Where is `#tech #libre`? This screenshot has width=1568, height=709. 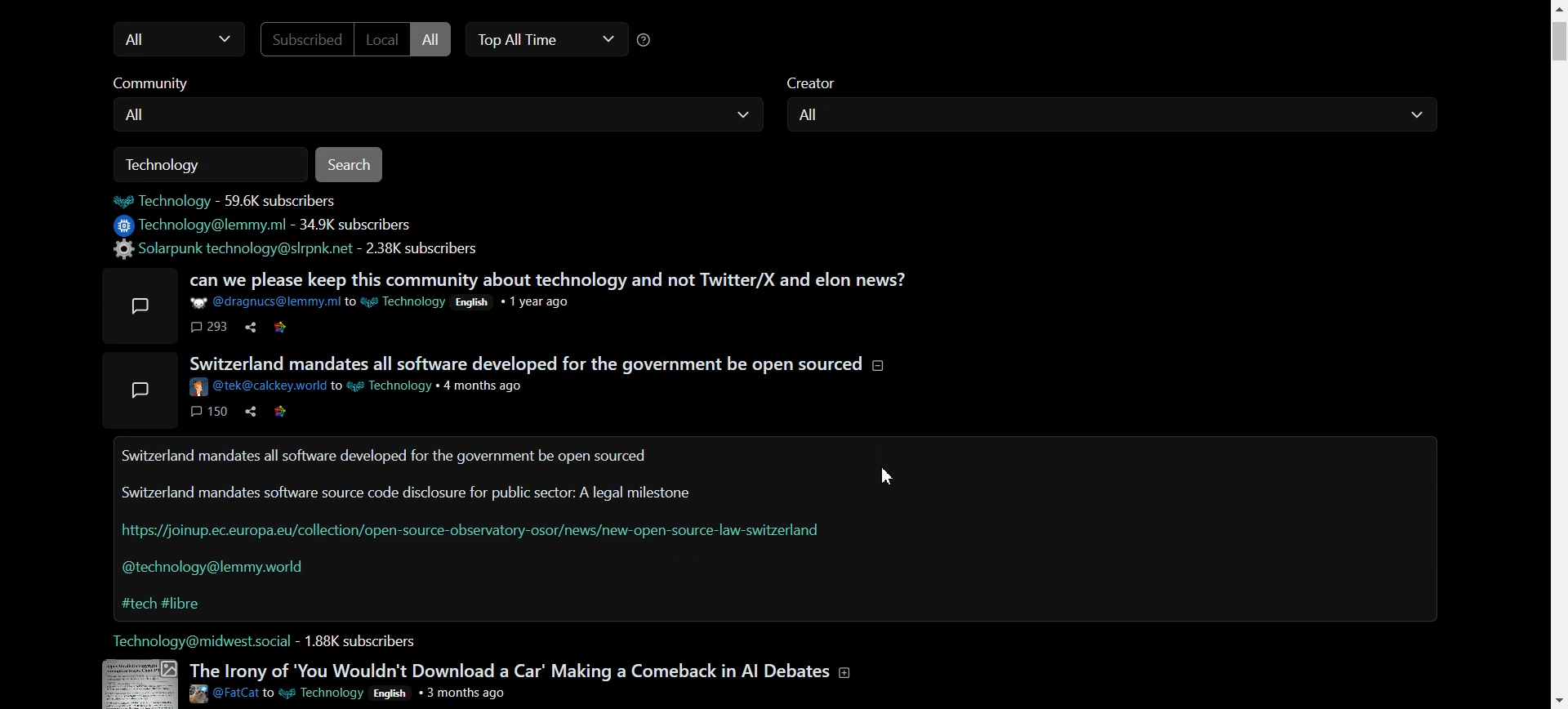 #tech #libre is located at coordinates (163, 604).